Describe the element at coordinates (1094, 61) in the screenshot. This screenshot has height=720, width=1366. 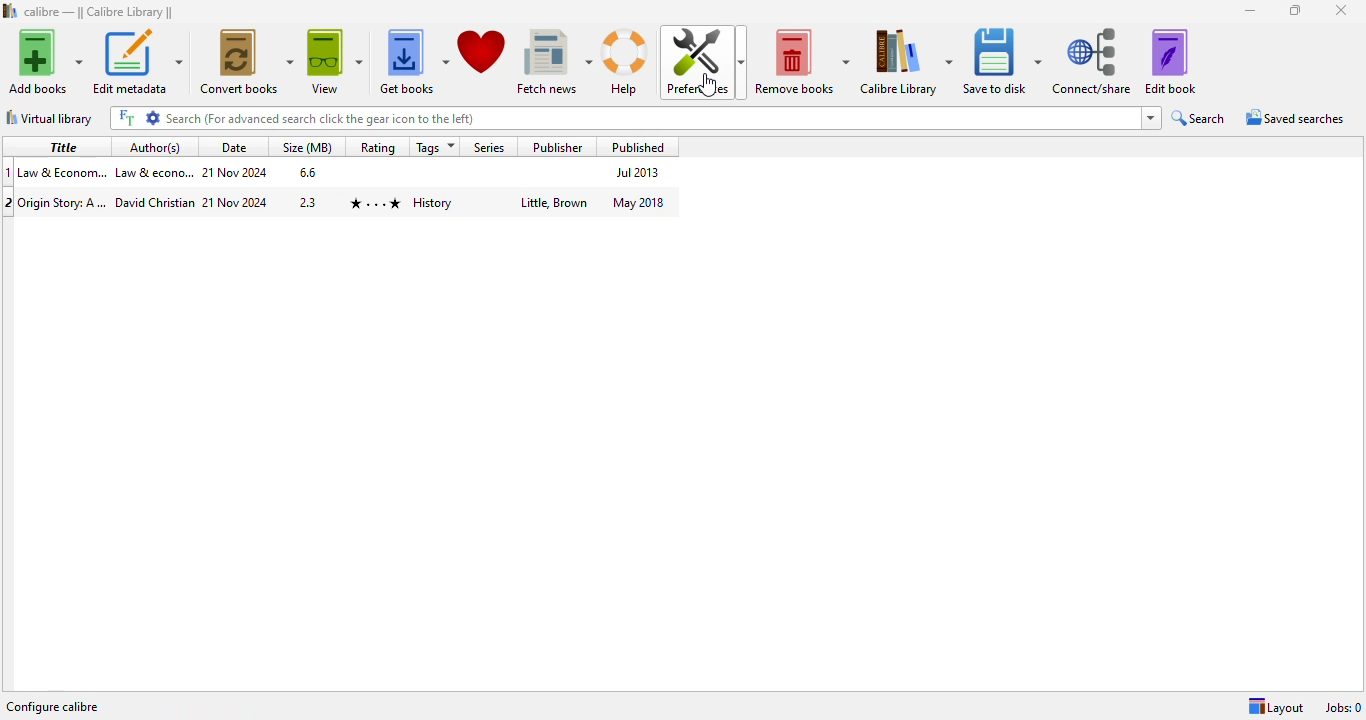
I see `connect/share` at that location.